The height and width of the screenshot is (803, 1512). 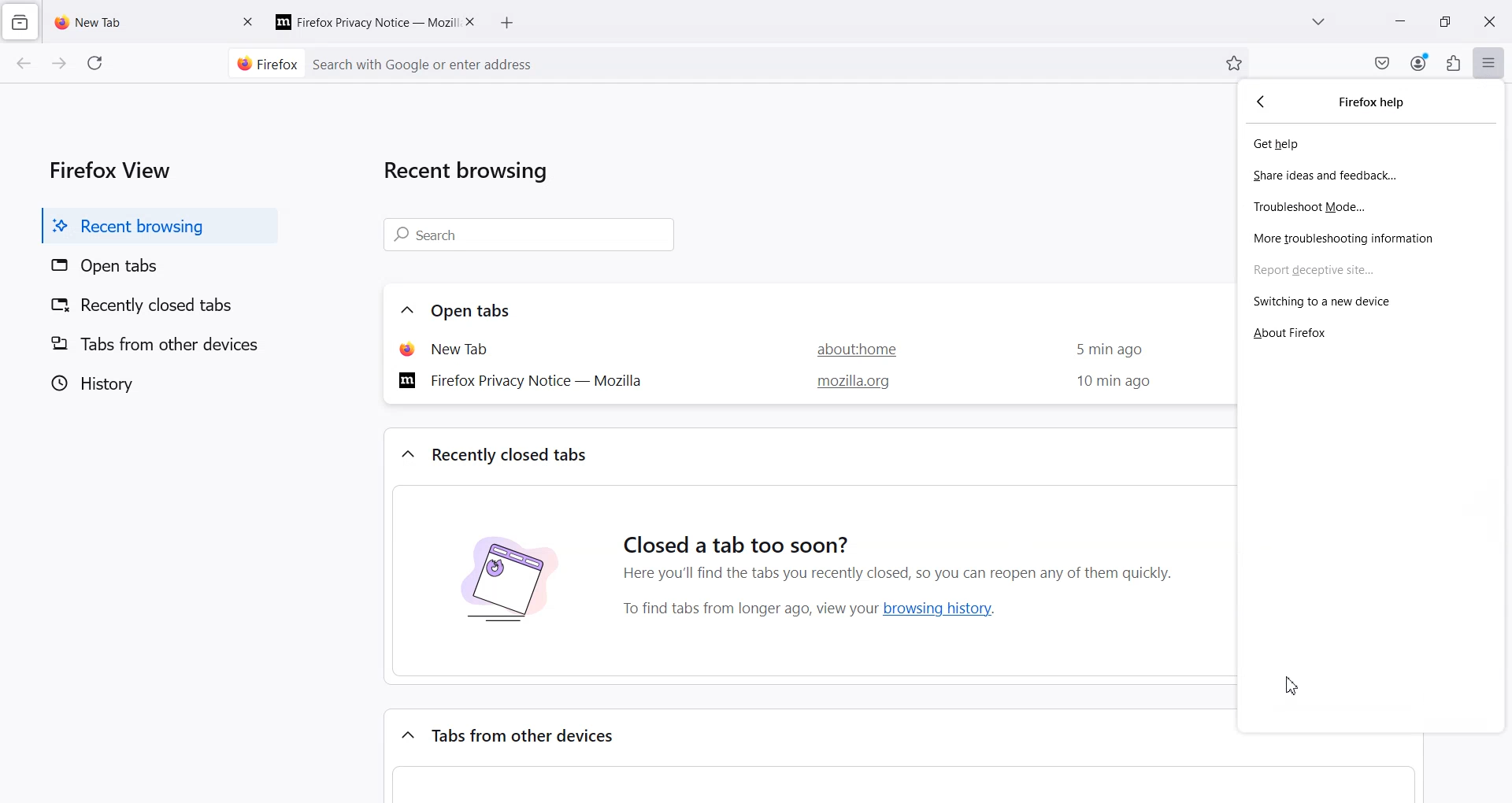 What do you see at coordinates (154, 343) in the screenshot?
I see `Tabs from other devices` at bounding box center [154, 343].